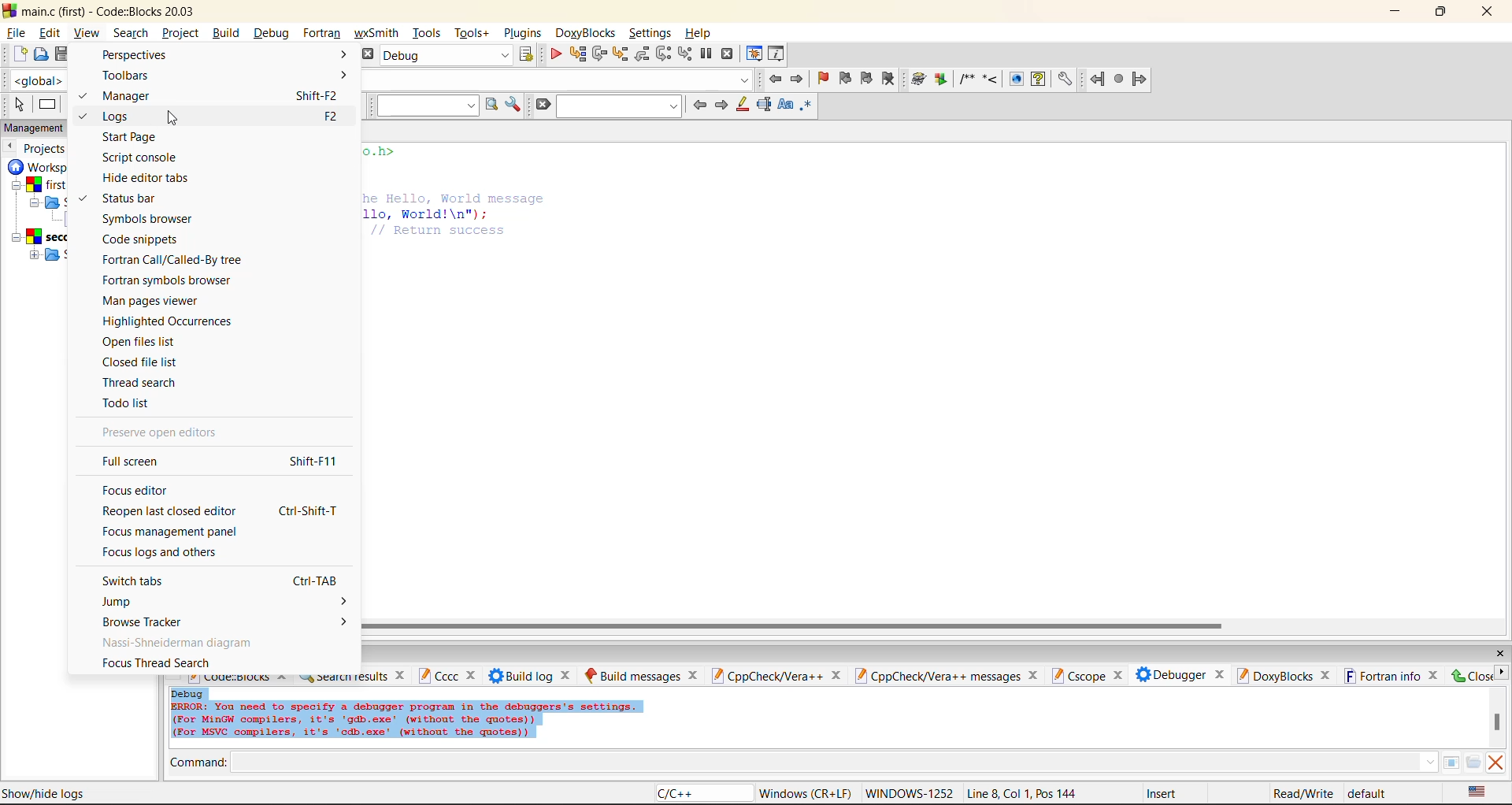 This screenshot has height=805, width=1512. What do you see at coordinates (1090, 677) in the screenshot?
I see `cscope` at bounding box center [1090, 677].